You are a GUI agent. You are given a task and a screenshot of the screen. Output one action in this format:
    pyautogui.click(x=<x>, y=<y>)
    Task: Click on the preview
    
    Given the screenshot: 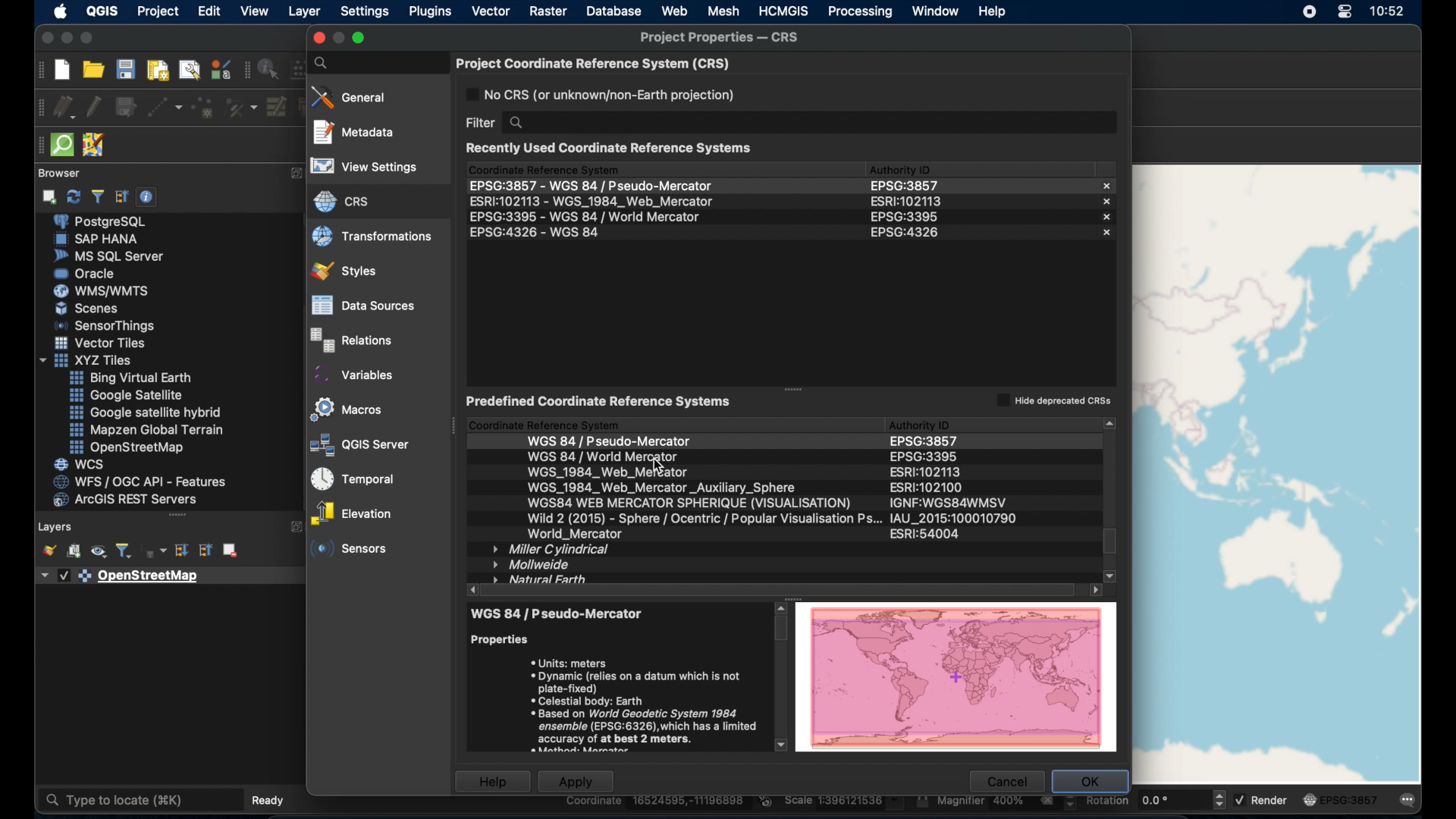 What is the action you would take?
    pyautogui.click(x=959, y=678)
    